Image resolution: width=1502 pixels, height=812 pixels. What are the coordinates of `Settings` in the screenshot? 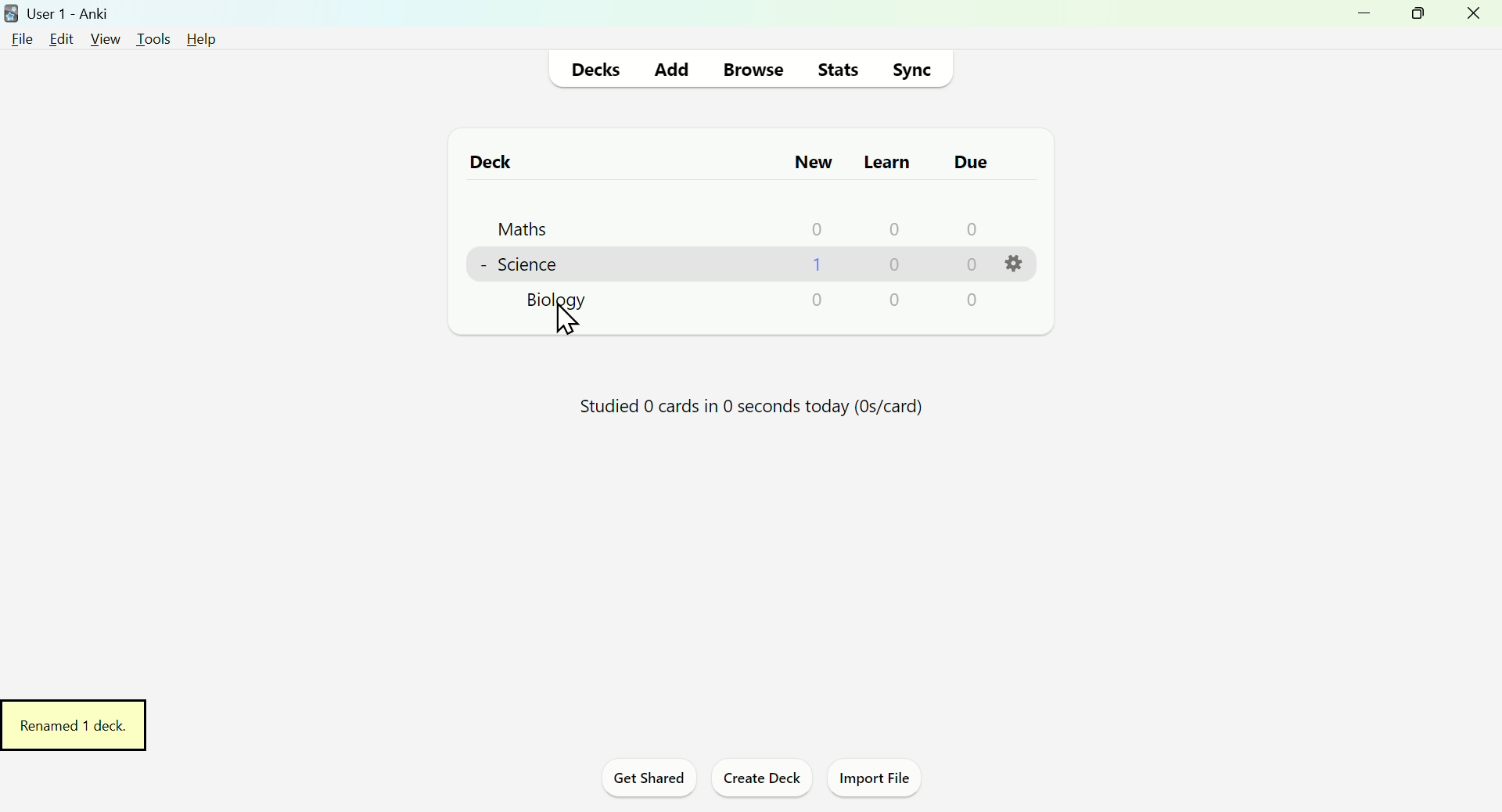 It's located at (1017, 264).